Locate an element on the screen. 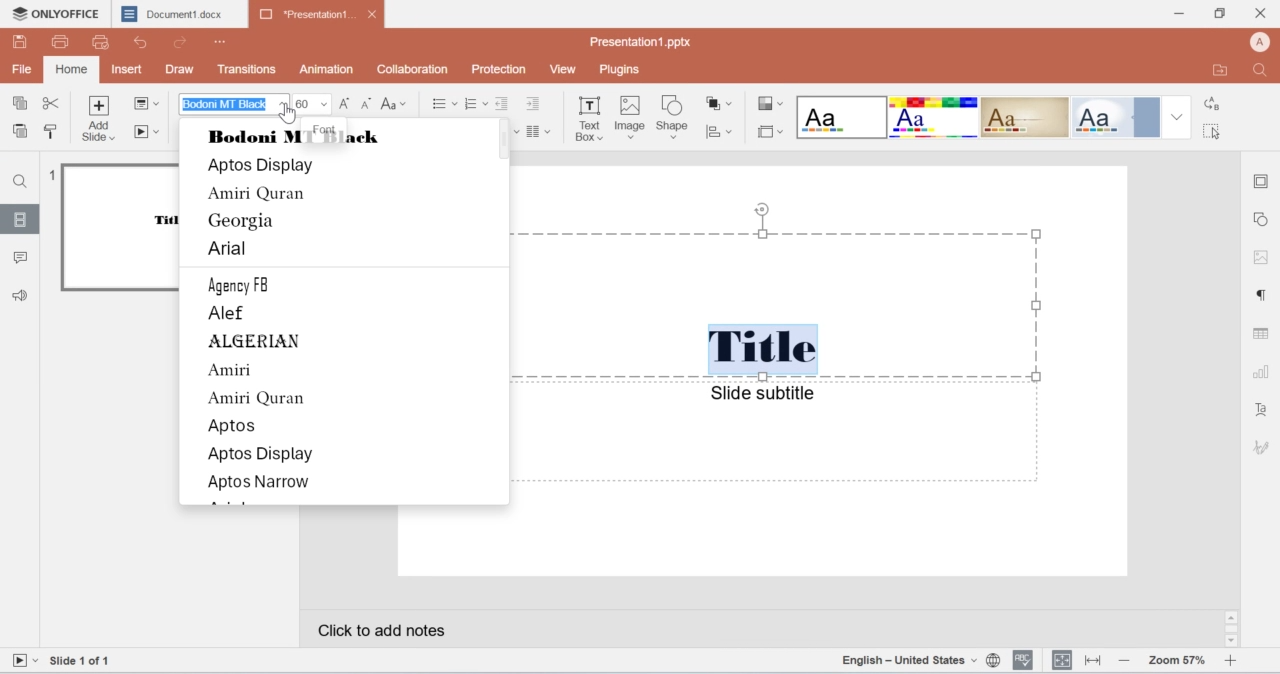  scroll bar is located at coordinates (1232, 629).